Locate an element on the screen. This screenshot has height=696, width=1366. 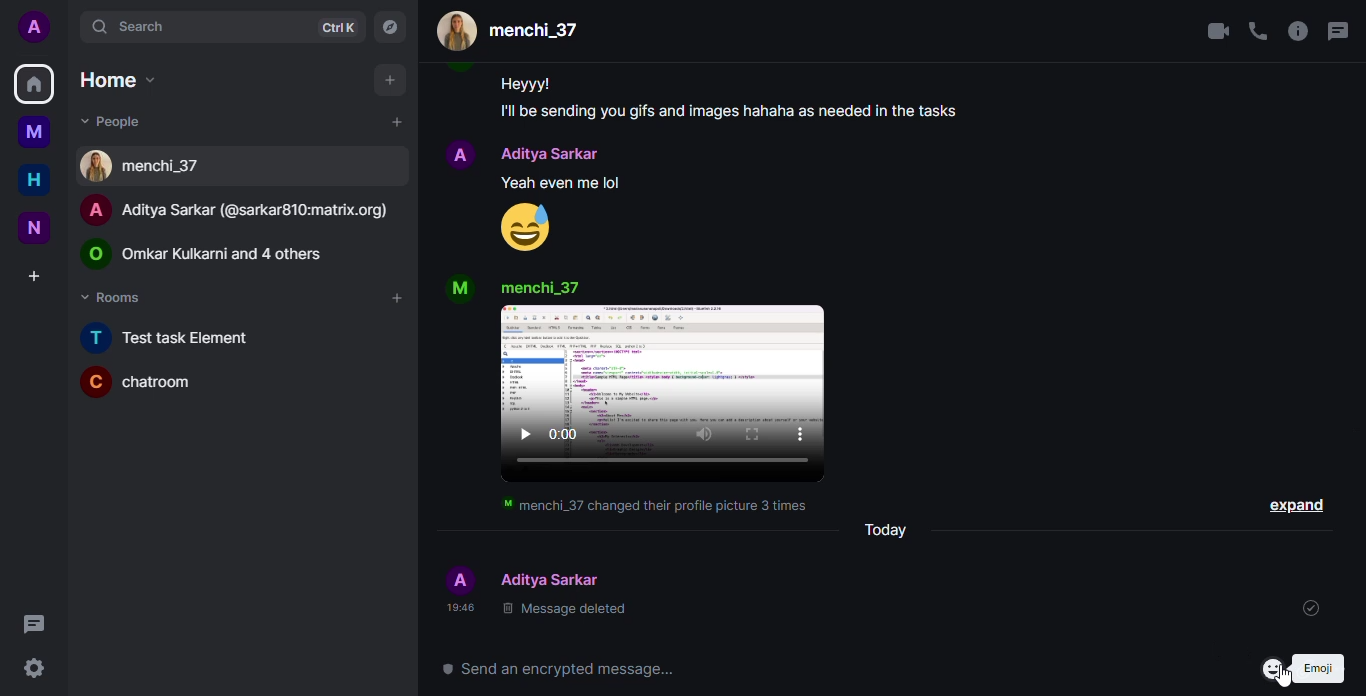
voice call is located at coordinates (1257, 31).